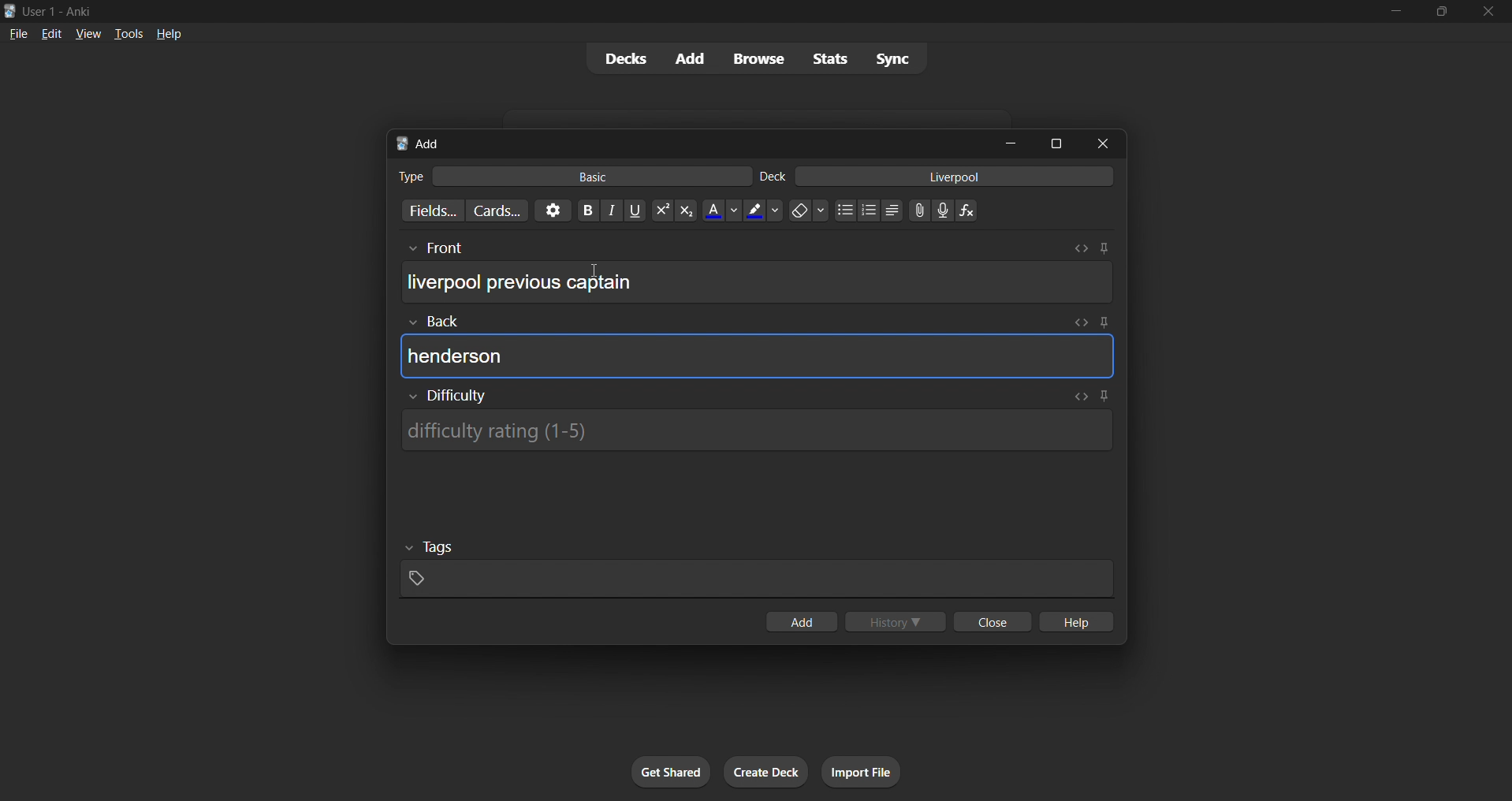 The height and width of the screenshot is (801, 1512). Describe the element at coordinates (918, 212) in the screenshot. I see `link` at that location.